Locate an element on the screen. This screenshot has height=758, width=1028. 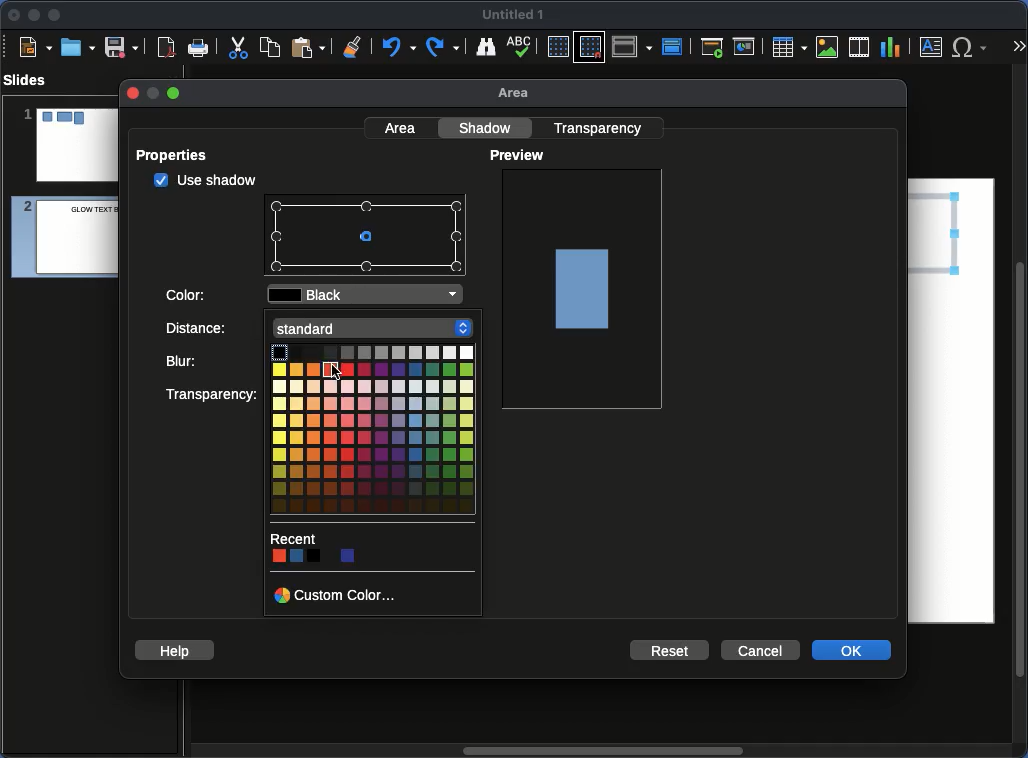
Color is located at coordinates (188, 293).